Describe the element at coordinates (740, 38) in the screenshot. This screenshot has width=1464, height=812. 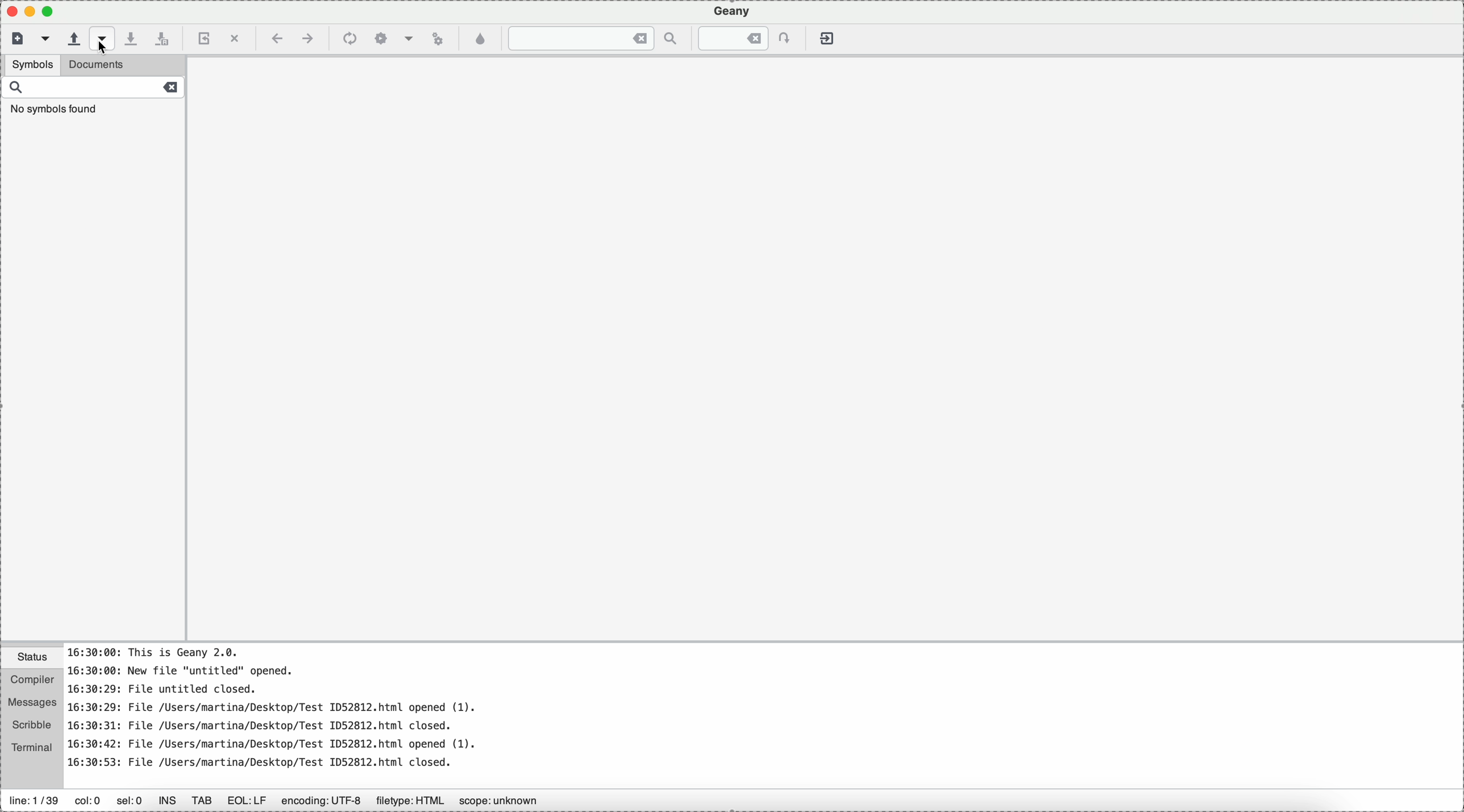
I see `jump to the entered line number` at that location.